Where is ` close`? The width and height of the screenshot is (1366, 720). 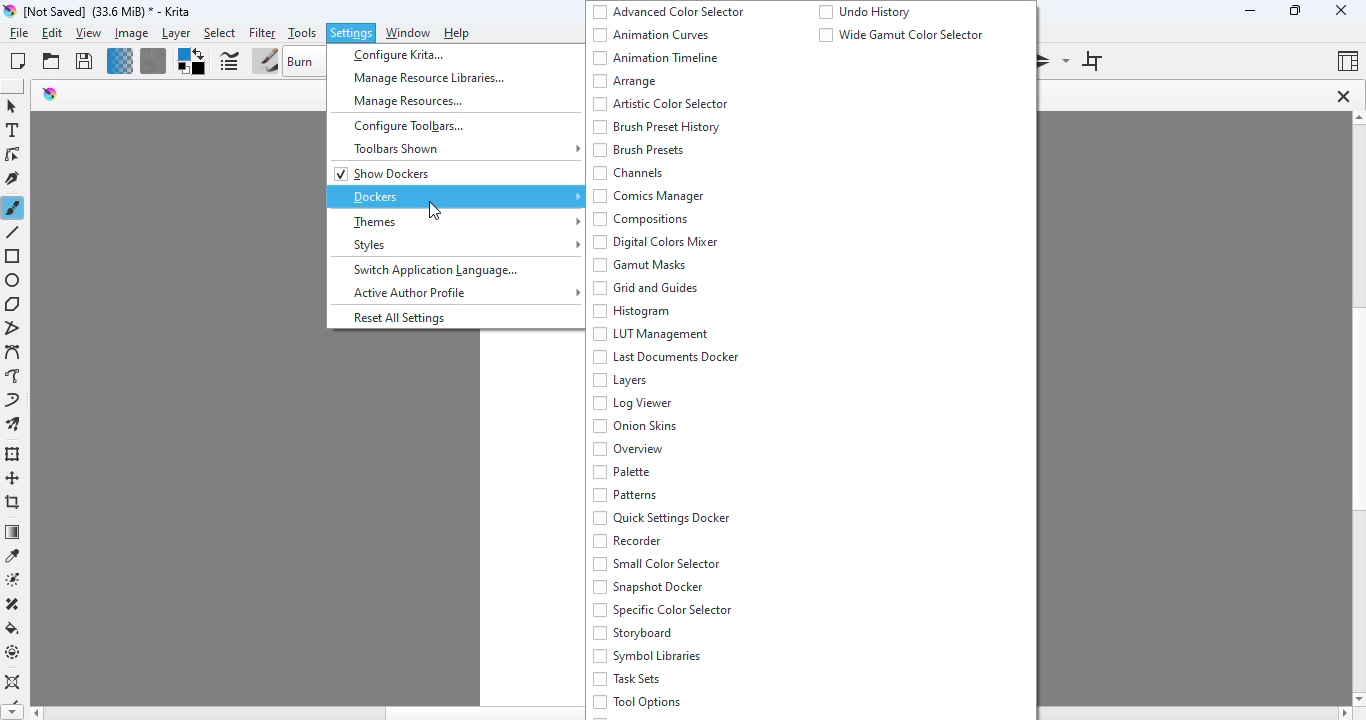
 close is located at coordinates (1340, 10).